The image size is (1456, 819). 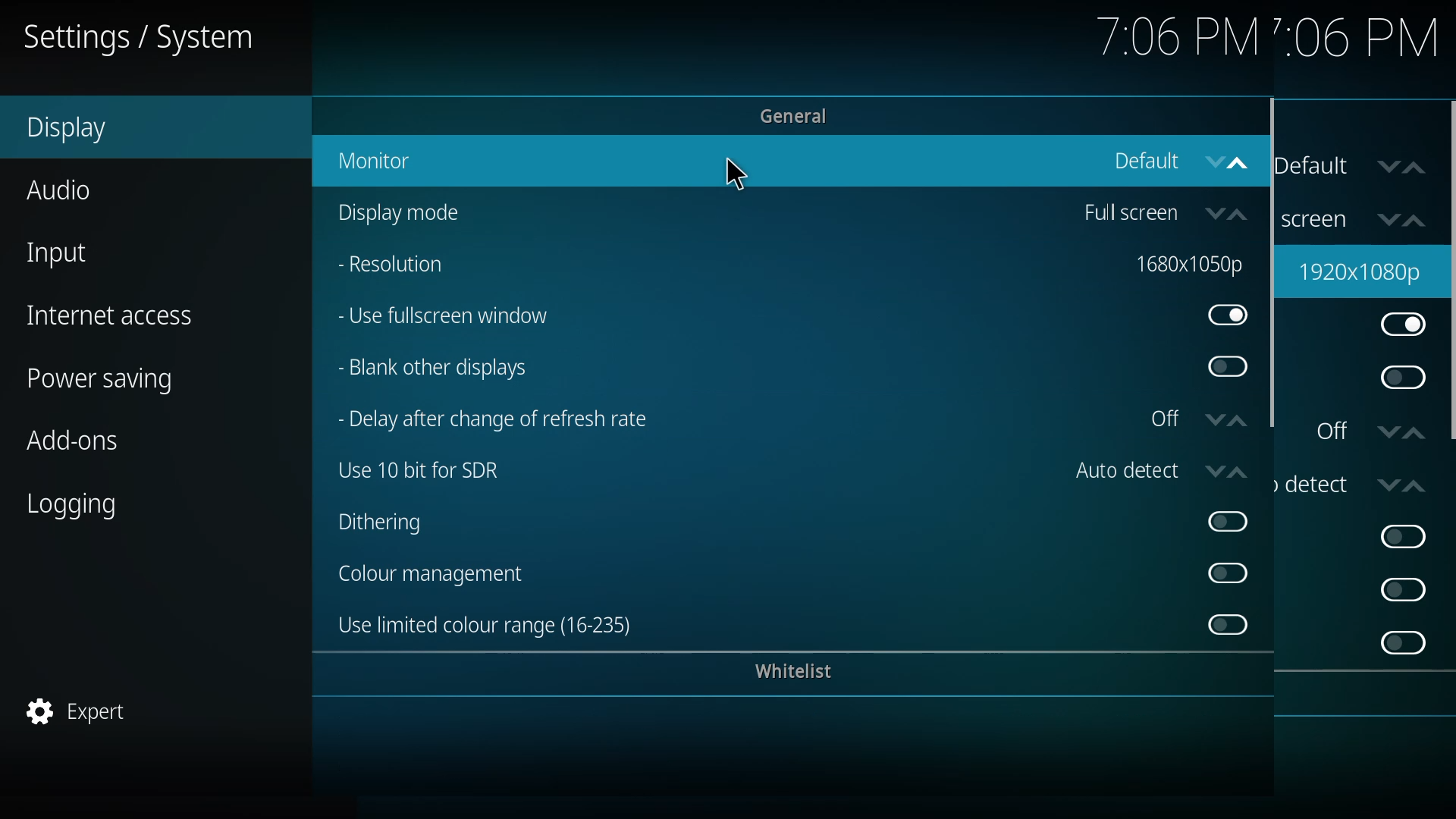 What do you see at coordinates (528, 415) in the screenshot?
I see `delay after change of refresh rate` at bounding box center [528, 415].